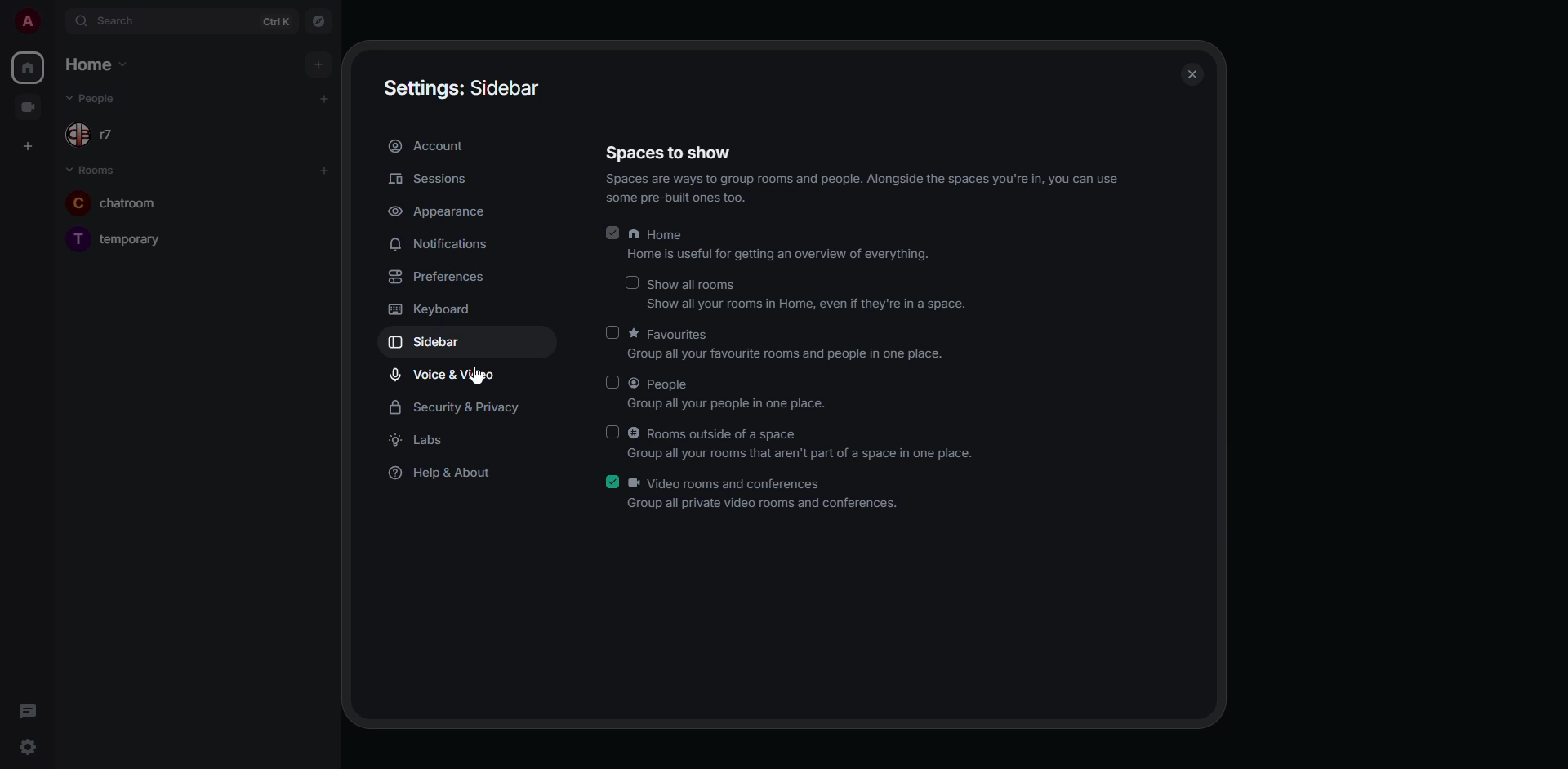 The width and height of the screenshot is (1568, 769). Describe the element at coordinates (33, 105) in the screenshot. I see `video room` at that location.